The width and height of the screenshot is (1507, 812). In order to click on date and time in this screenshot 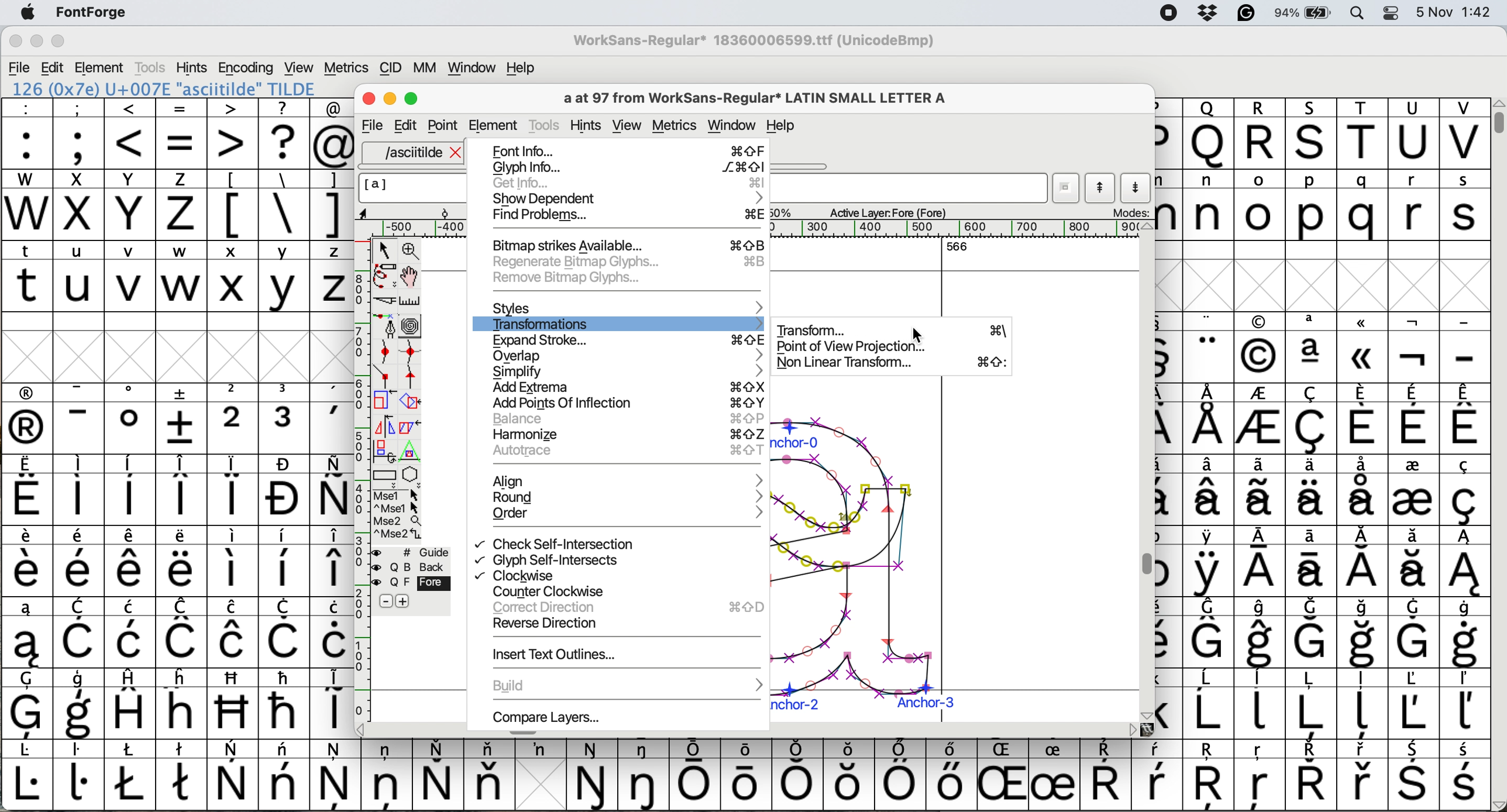, I will do `click(1454, 11)`.